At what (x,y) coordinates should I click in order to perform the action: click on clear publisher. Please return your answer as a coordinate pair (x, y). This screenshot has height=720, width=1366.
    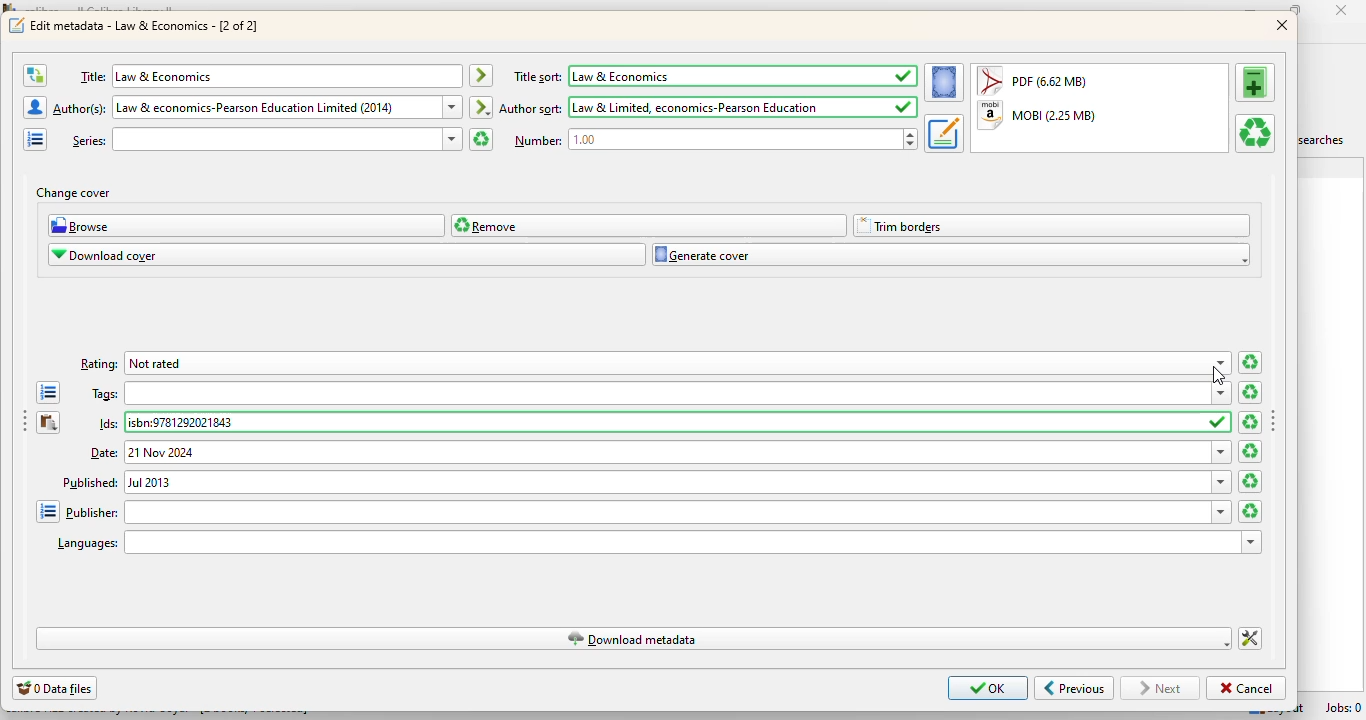
    Looking at the image, I should click on (1250, 511).